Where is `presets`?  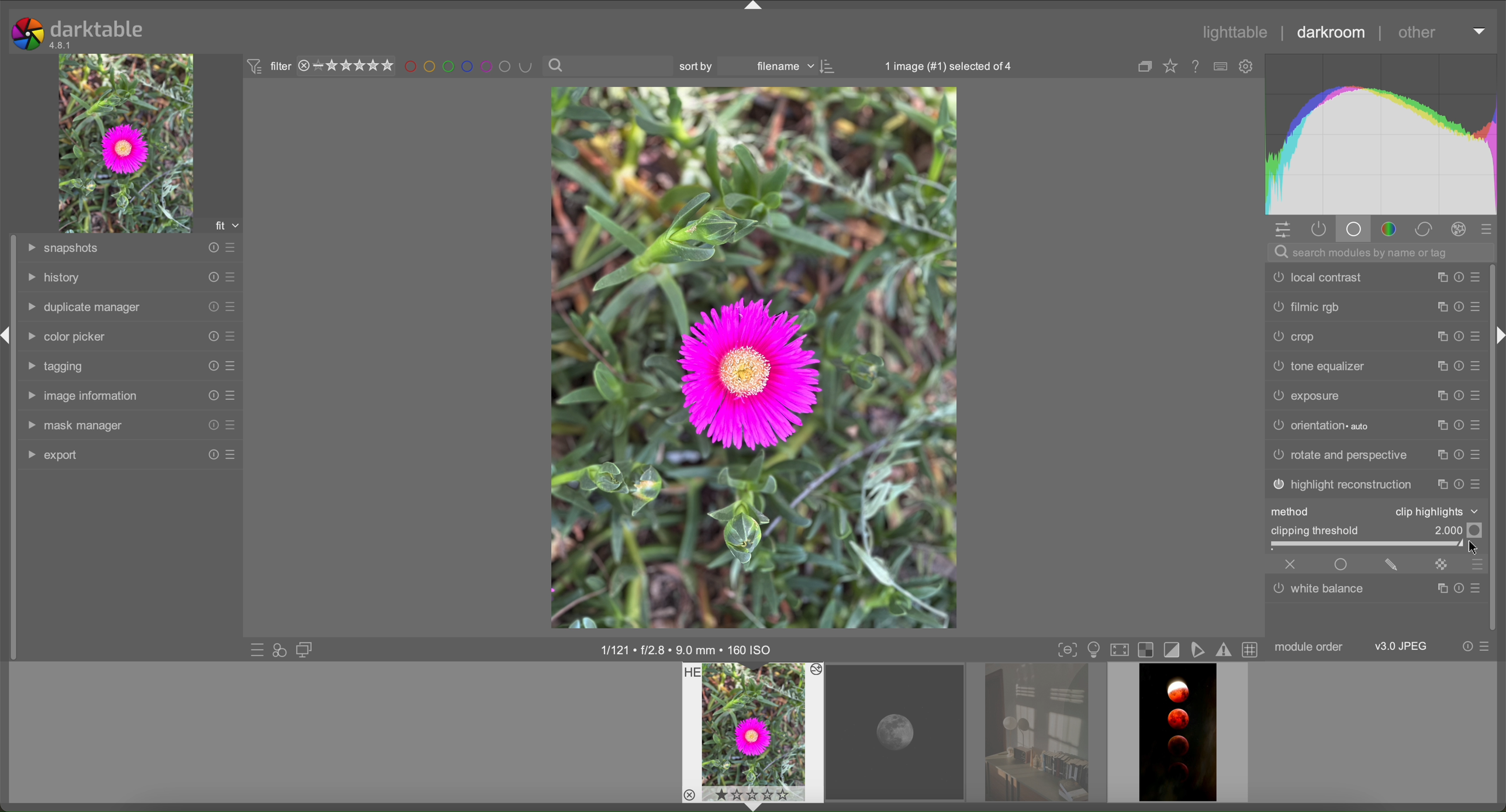
presets is located at coordinates (1479, 426).